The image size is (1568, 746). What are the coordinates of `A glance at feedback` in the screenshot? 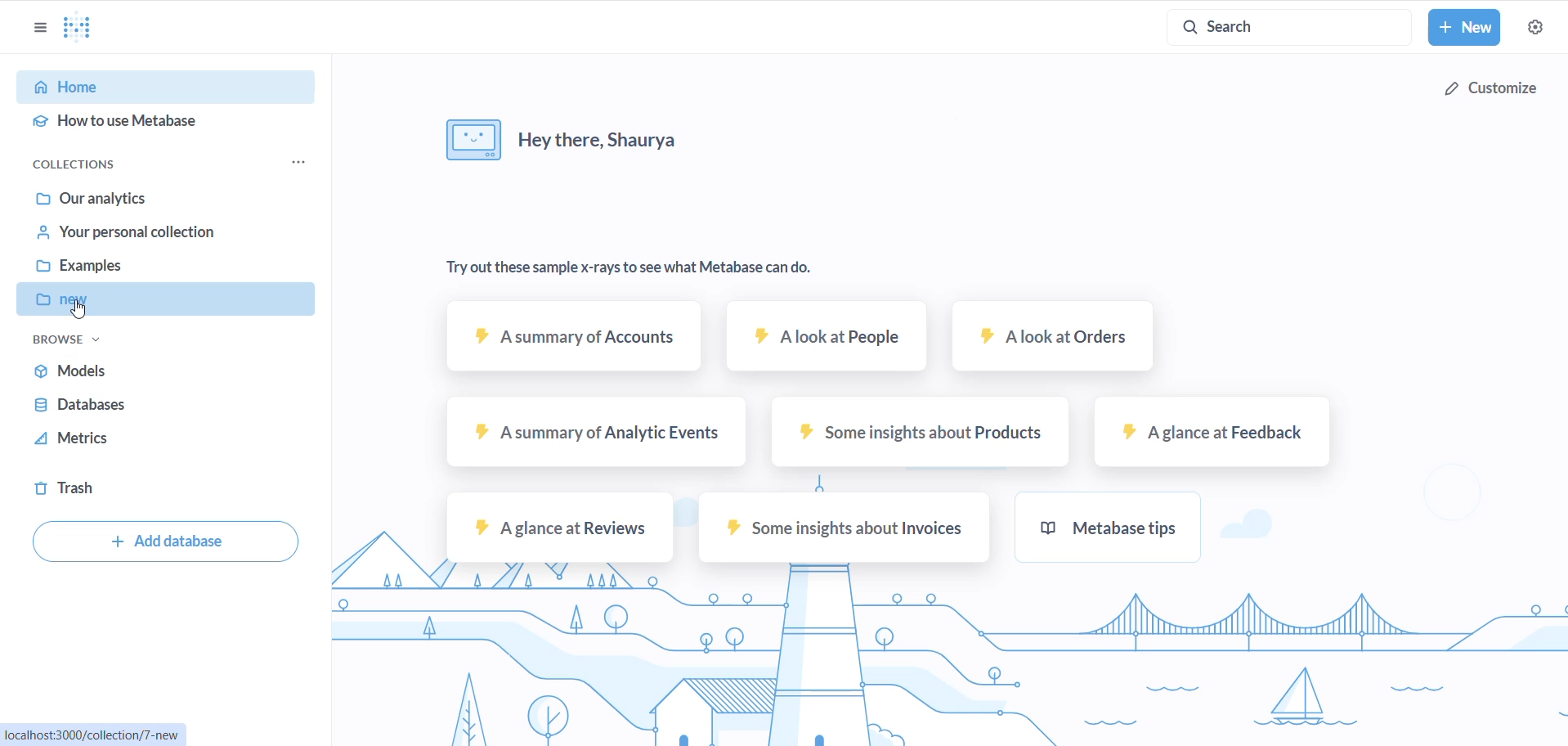 It's located at (1210, 438).